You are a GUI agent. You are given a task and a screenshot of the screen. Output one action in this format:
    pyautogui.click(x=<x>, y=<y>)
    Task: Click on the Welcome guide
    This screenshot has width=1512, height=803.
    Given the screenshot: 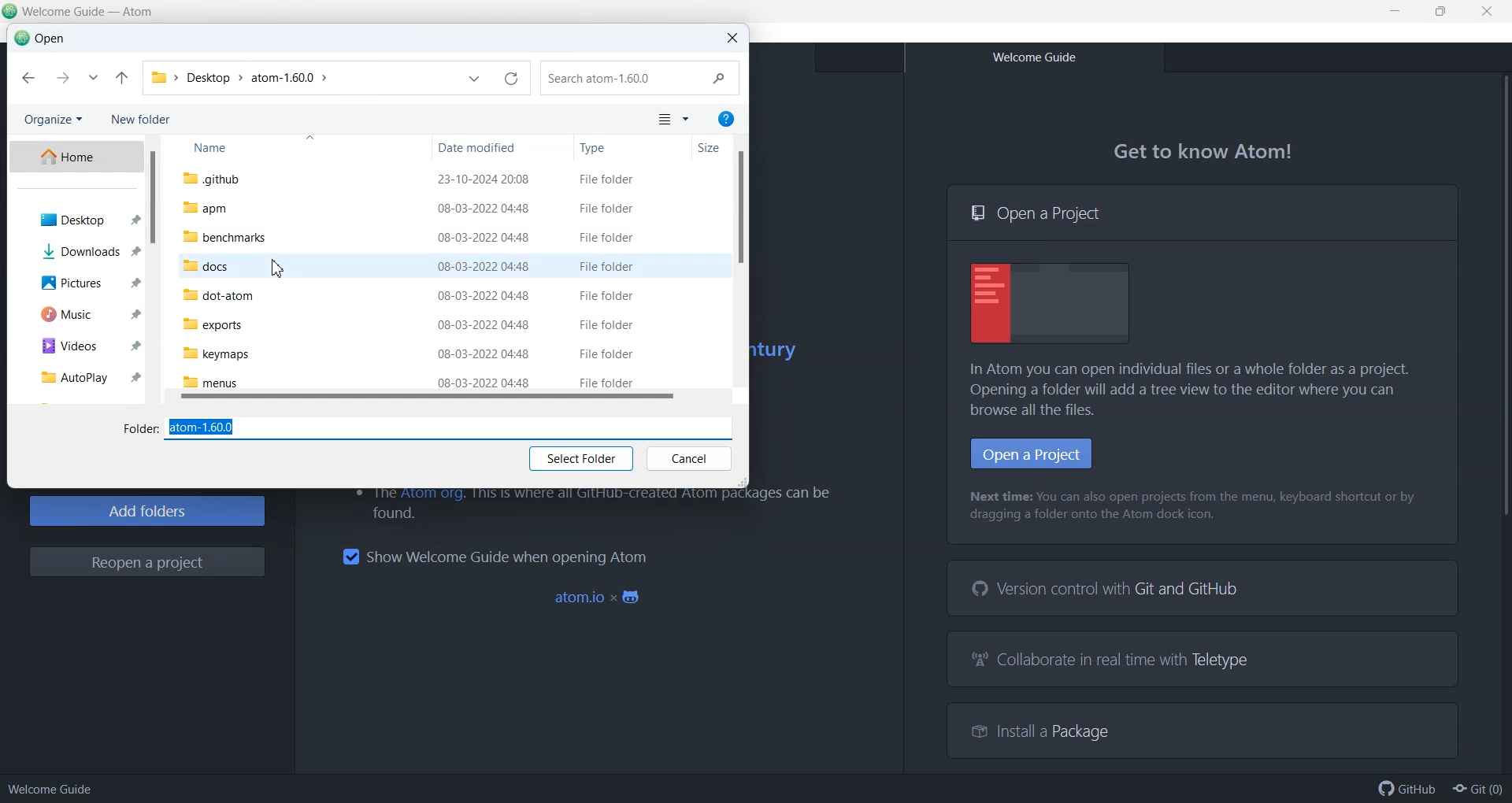 What is the action you would take?
    pyautogui.click(x=50, y=789)
    